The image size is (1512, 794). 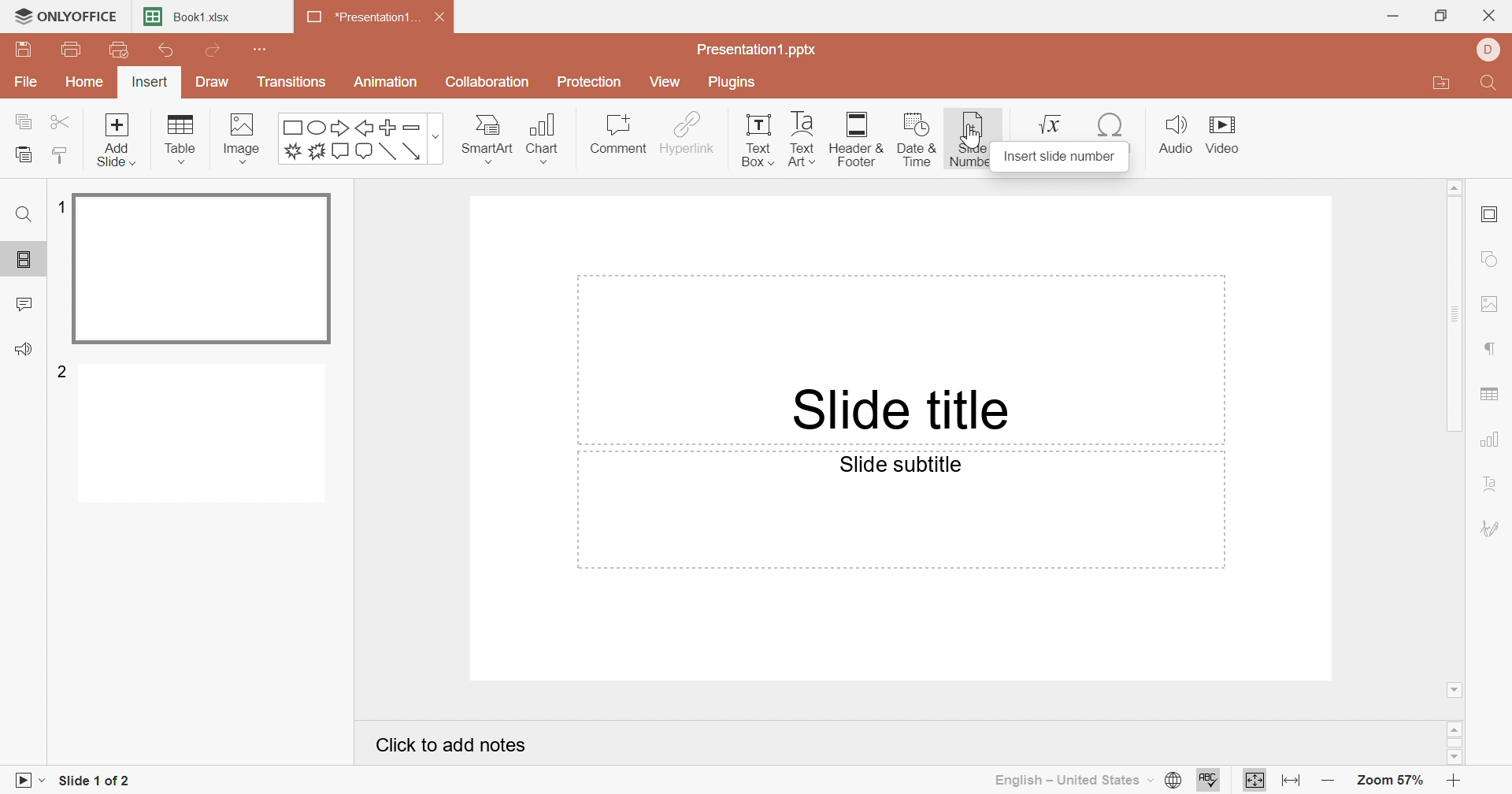 I want to click on Customize Quick AcessToolbar, so click(x=261, y=47).